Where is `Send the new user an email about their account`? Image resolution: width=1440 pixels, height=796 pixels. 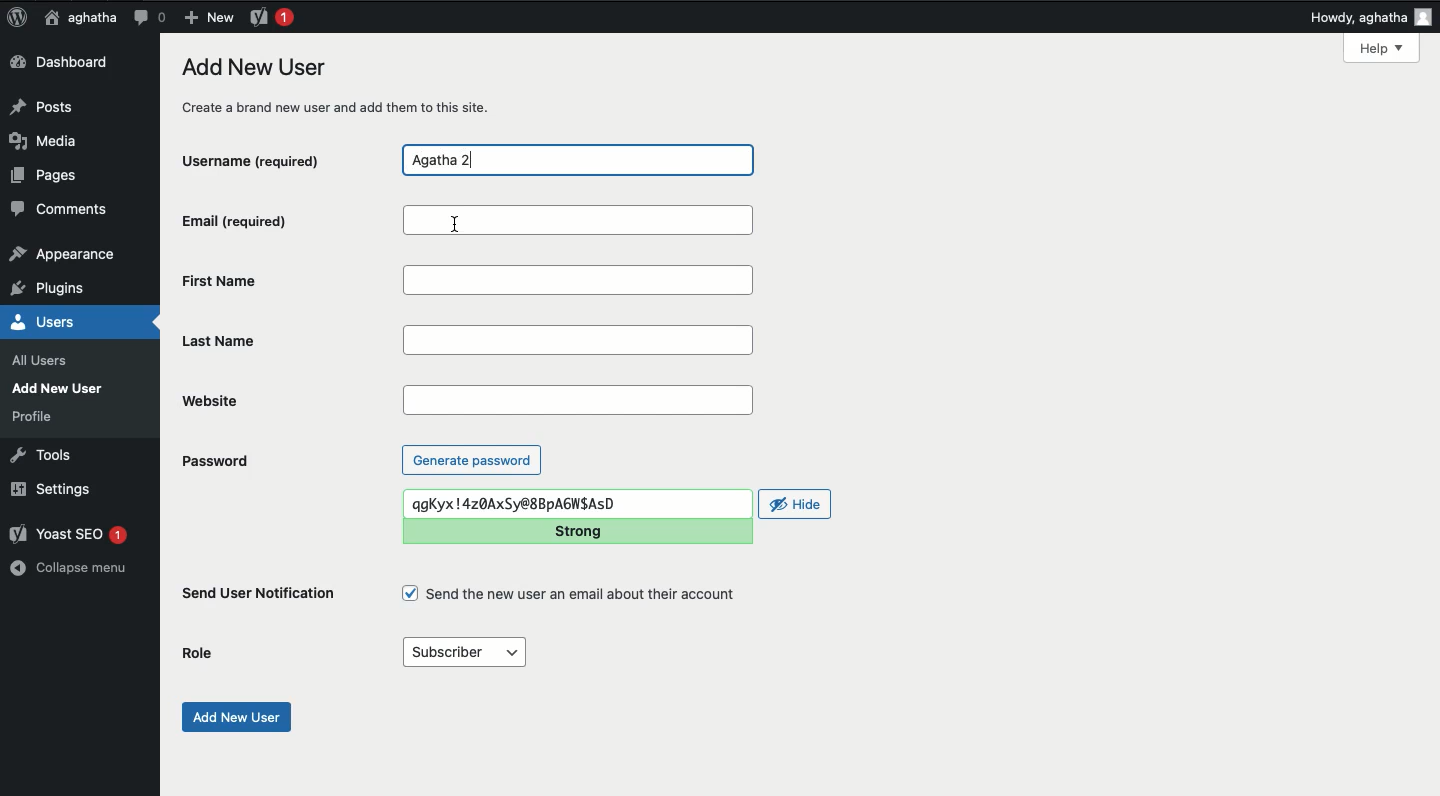
Send the new user an email about their account is located at coordinates (572, 594).